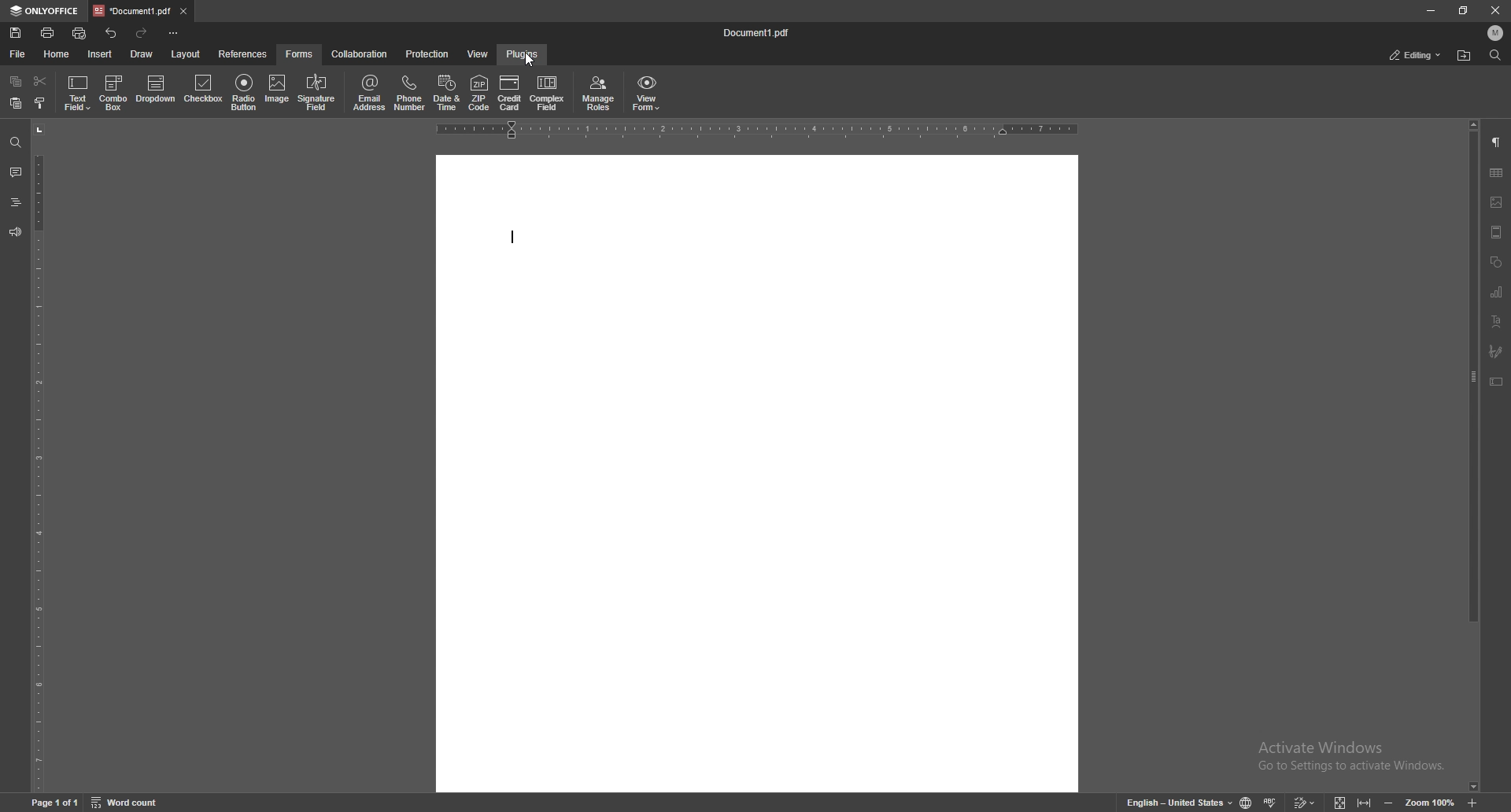  I want to click on copy style, so click(42, 103).